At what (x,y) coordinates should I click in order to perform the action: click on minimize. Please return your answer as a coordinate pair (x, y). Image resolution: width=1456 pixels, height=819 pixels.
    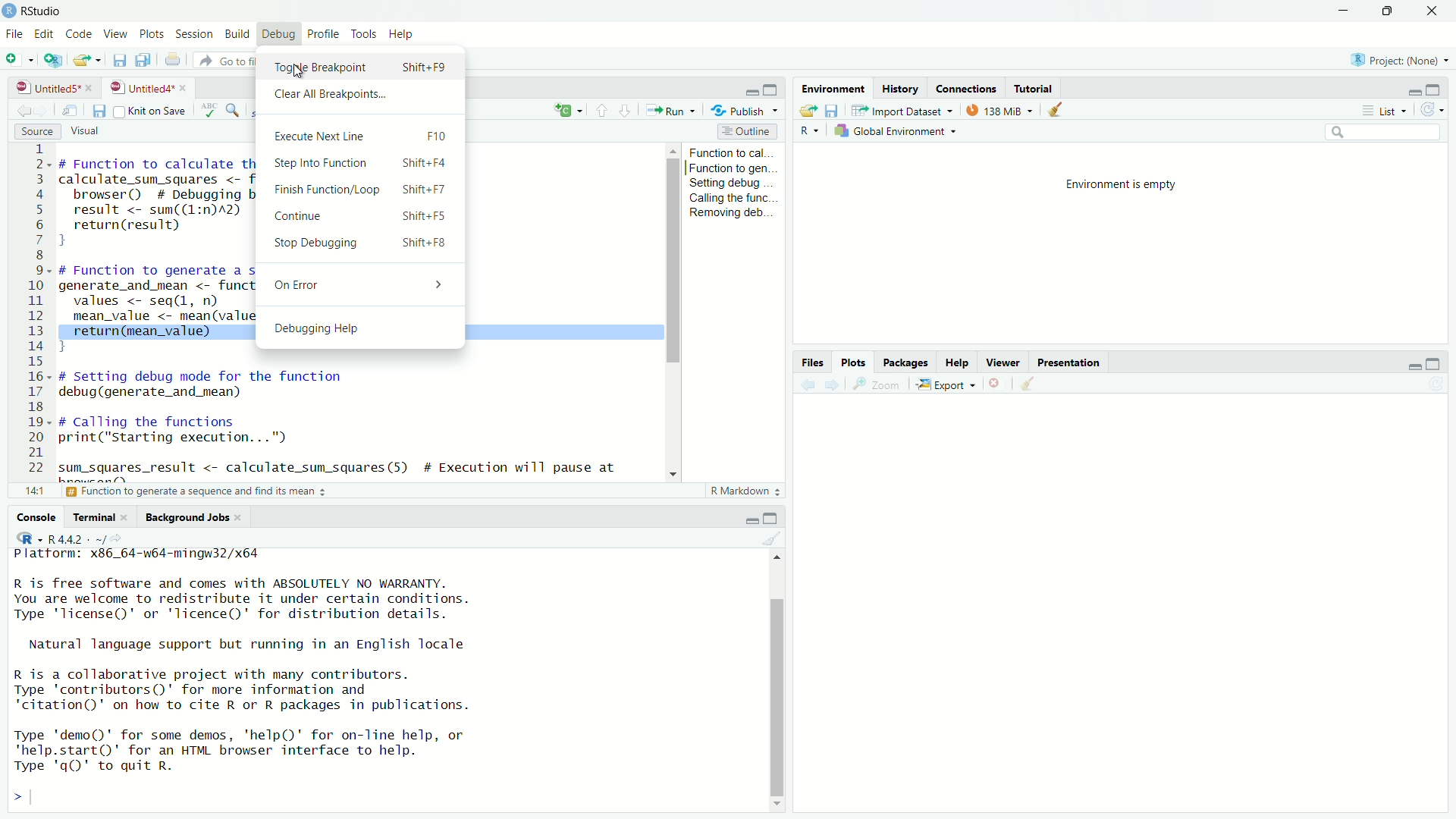
    Looking at the image, I should click on (746, 91).